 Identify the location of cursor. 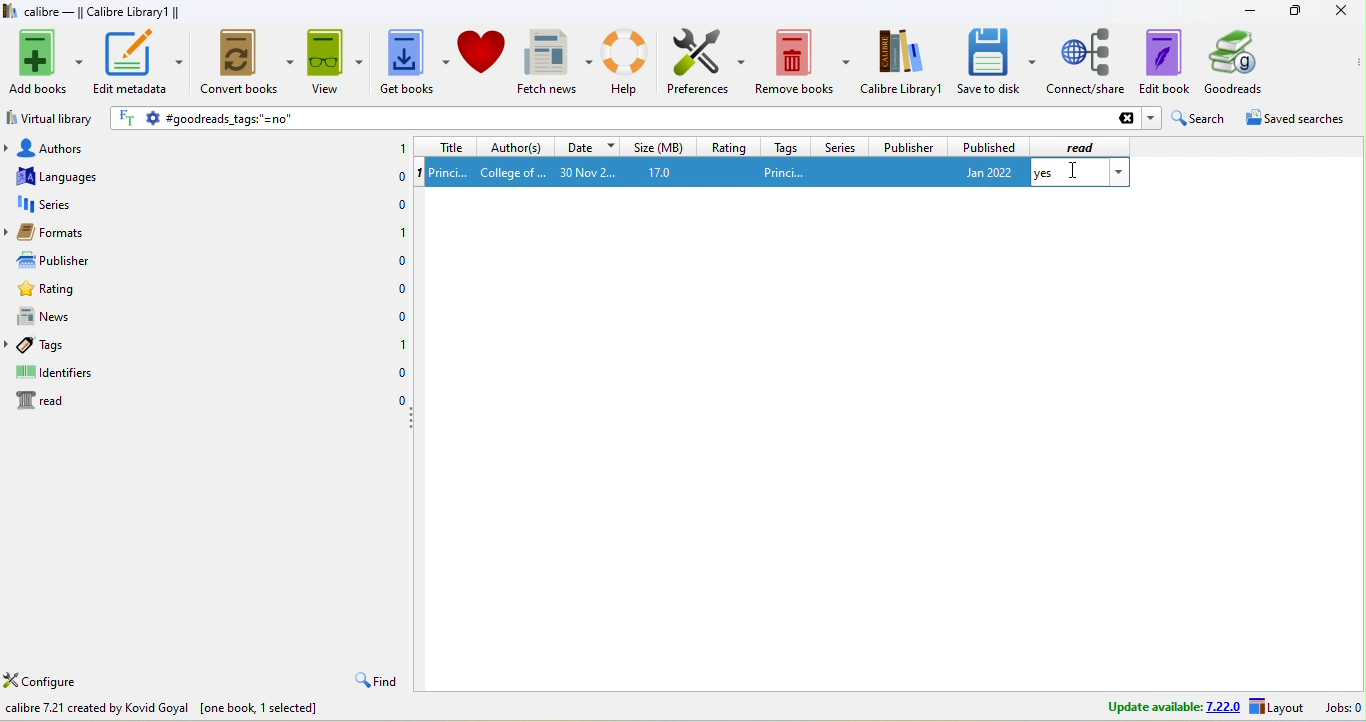
(1073, 170).